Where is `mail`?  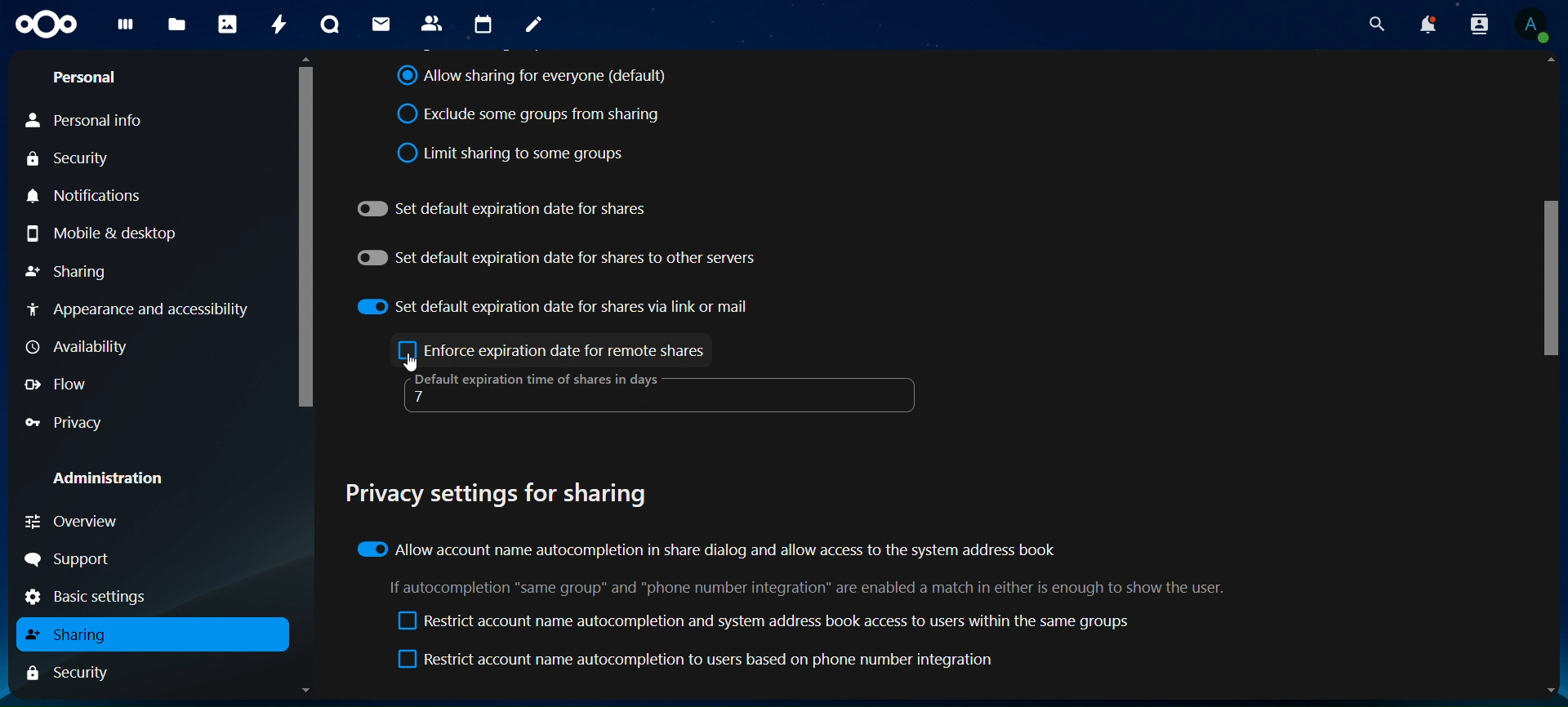 mail is located at coordinates (378, 24).